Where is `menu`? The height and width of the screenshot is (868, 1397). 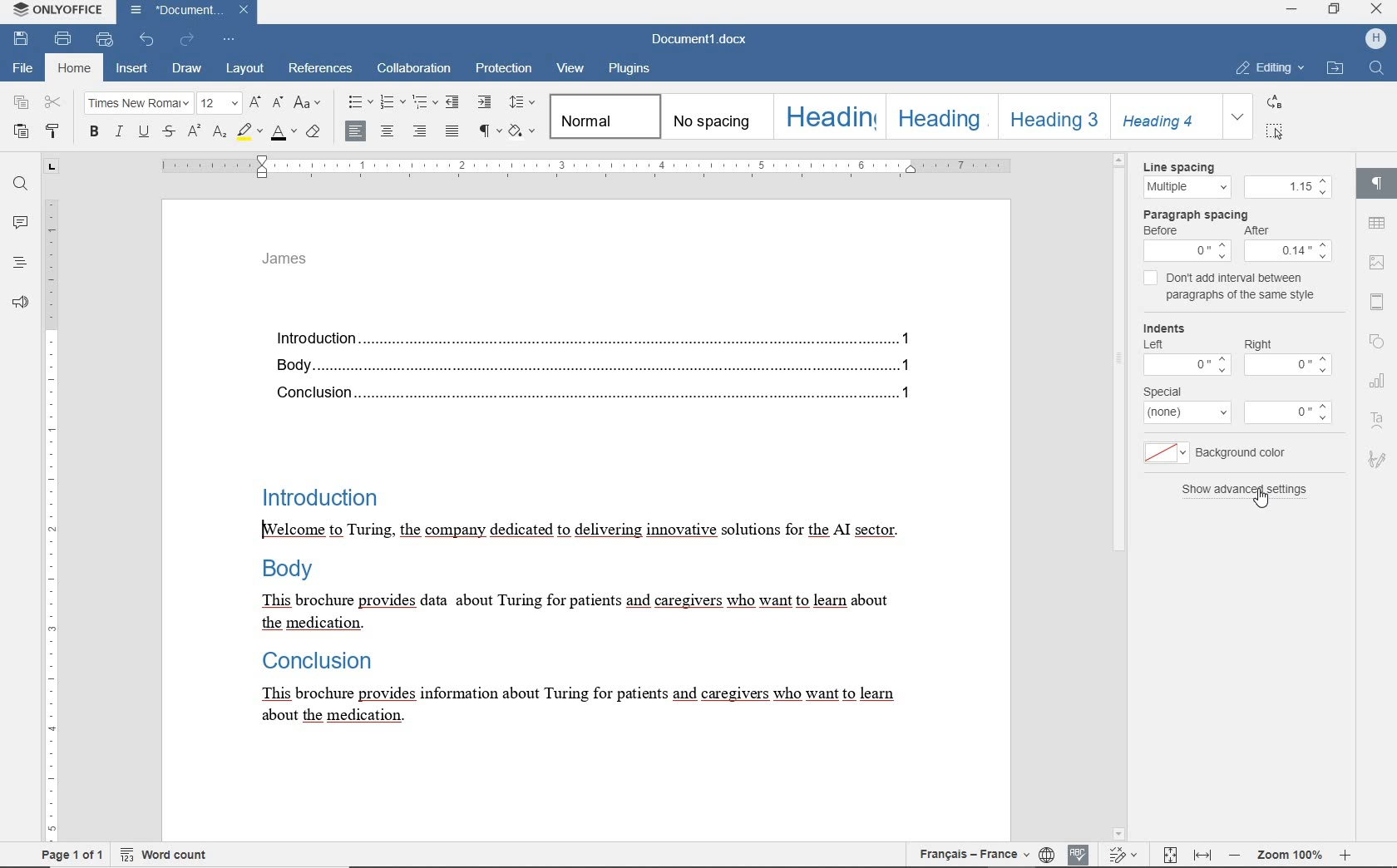
menu is located at coordinates (1290, 250).